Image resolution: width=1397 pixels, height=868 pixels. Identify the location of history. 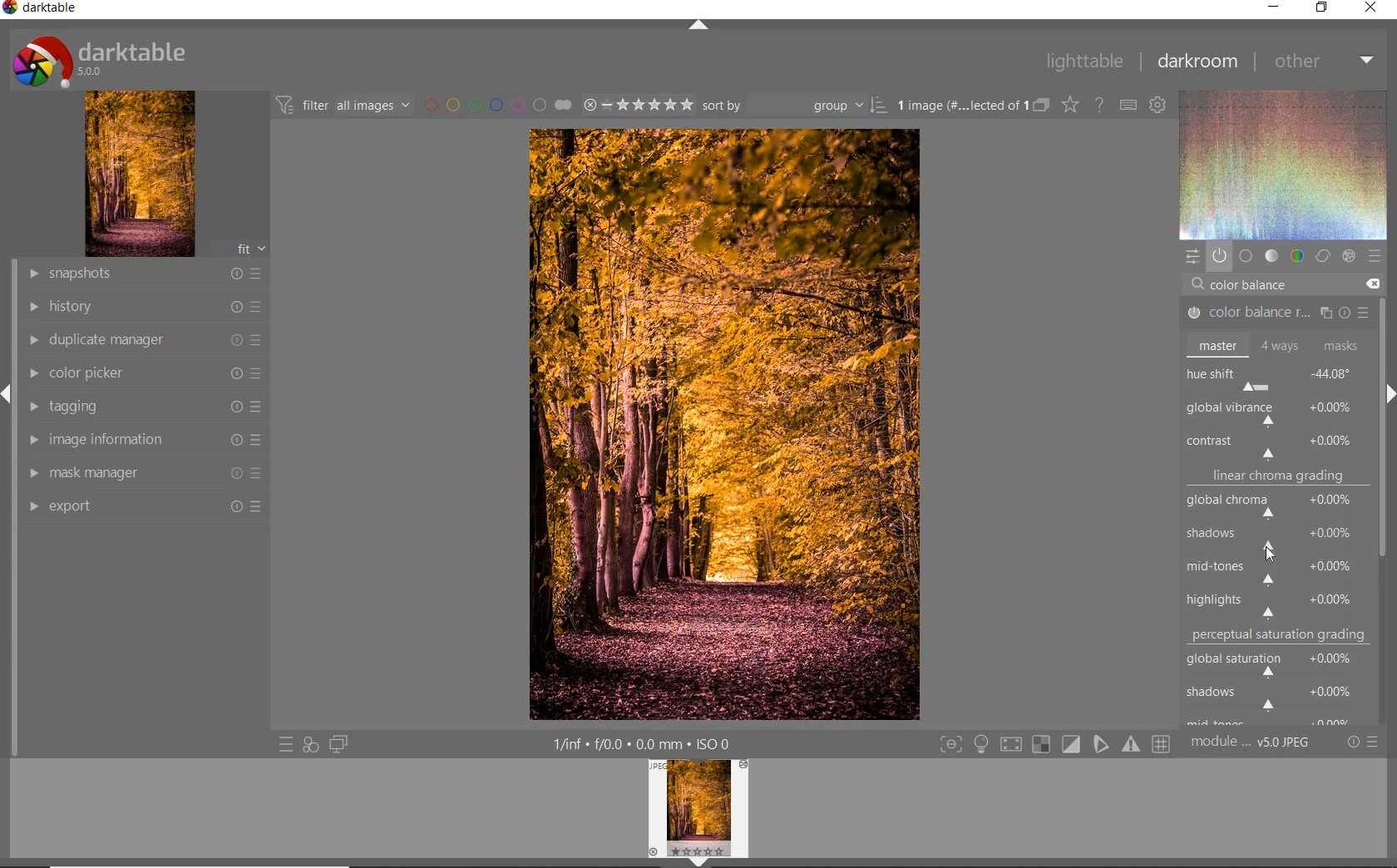
(144, 305).